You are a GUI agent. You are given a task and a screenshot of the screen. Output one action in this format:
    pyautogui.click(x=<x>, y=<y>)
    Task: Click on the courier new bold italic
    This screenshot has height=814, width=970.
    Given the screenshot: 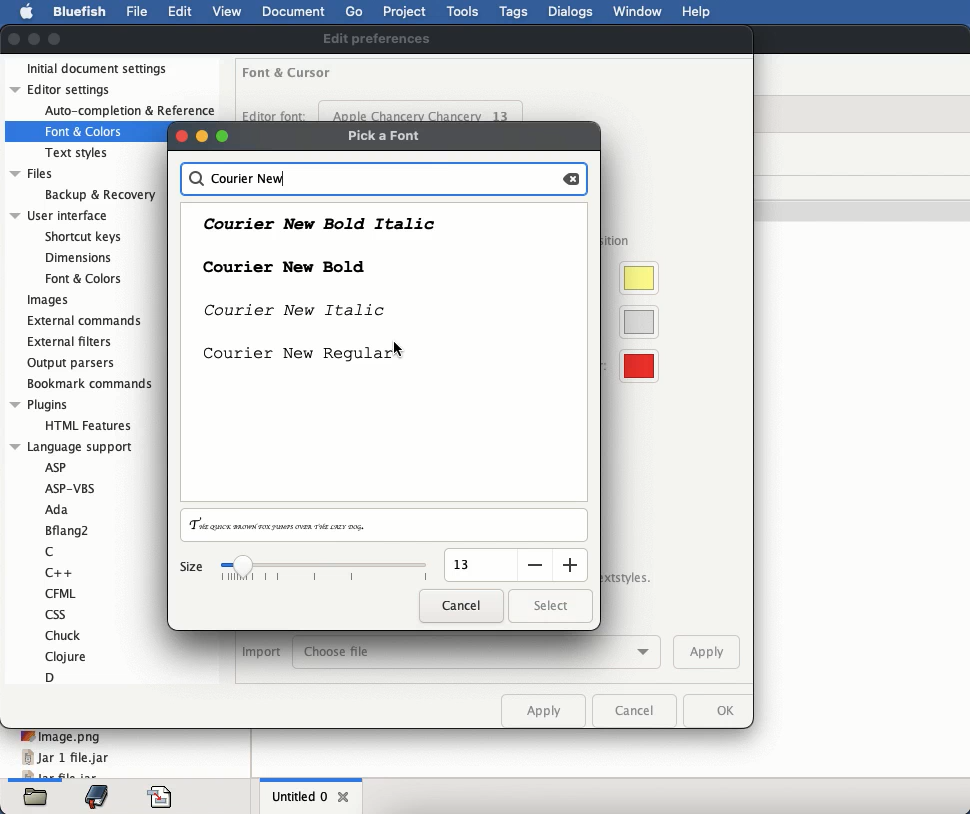 What is the action you would take?
    pyautogui.click(x=321, y=223)
    